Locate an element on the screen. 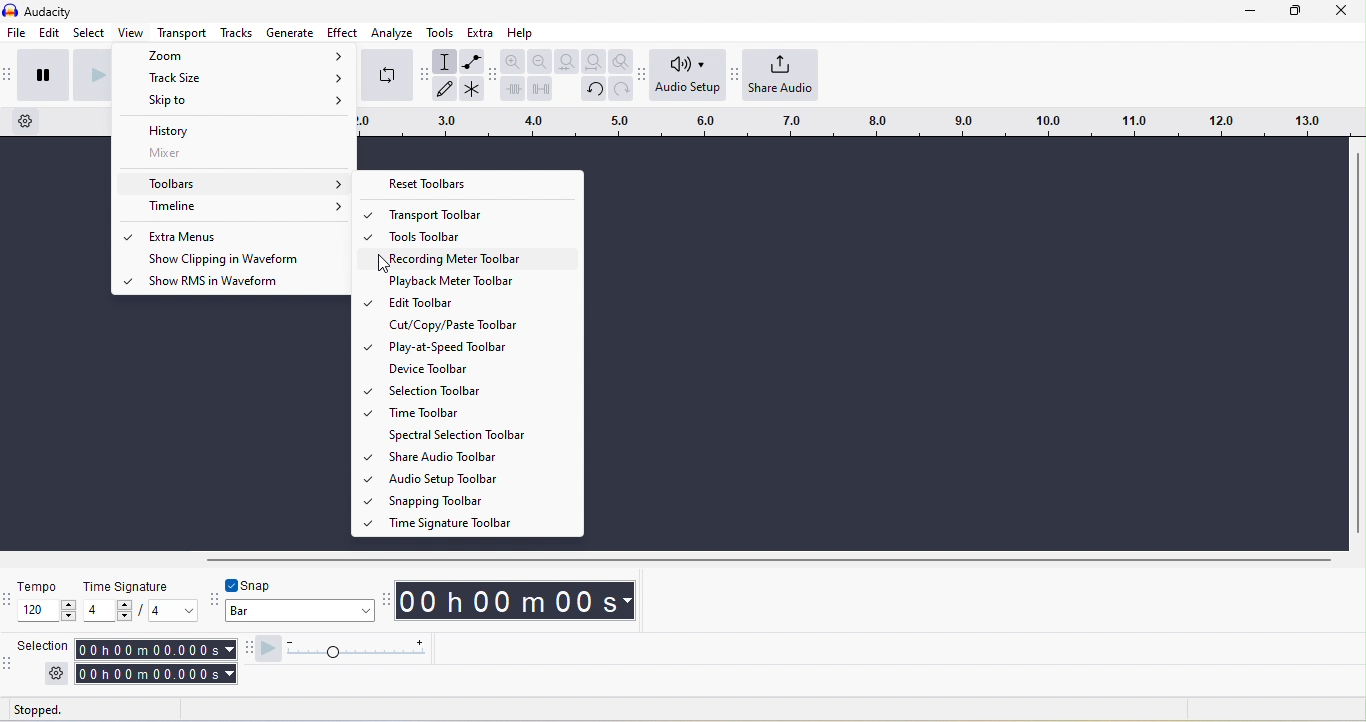 This screenshot has height=722, width=1366. audio setup toolbar is located at coordinates (641, 76).